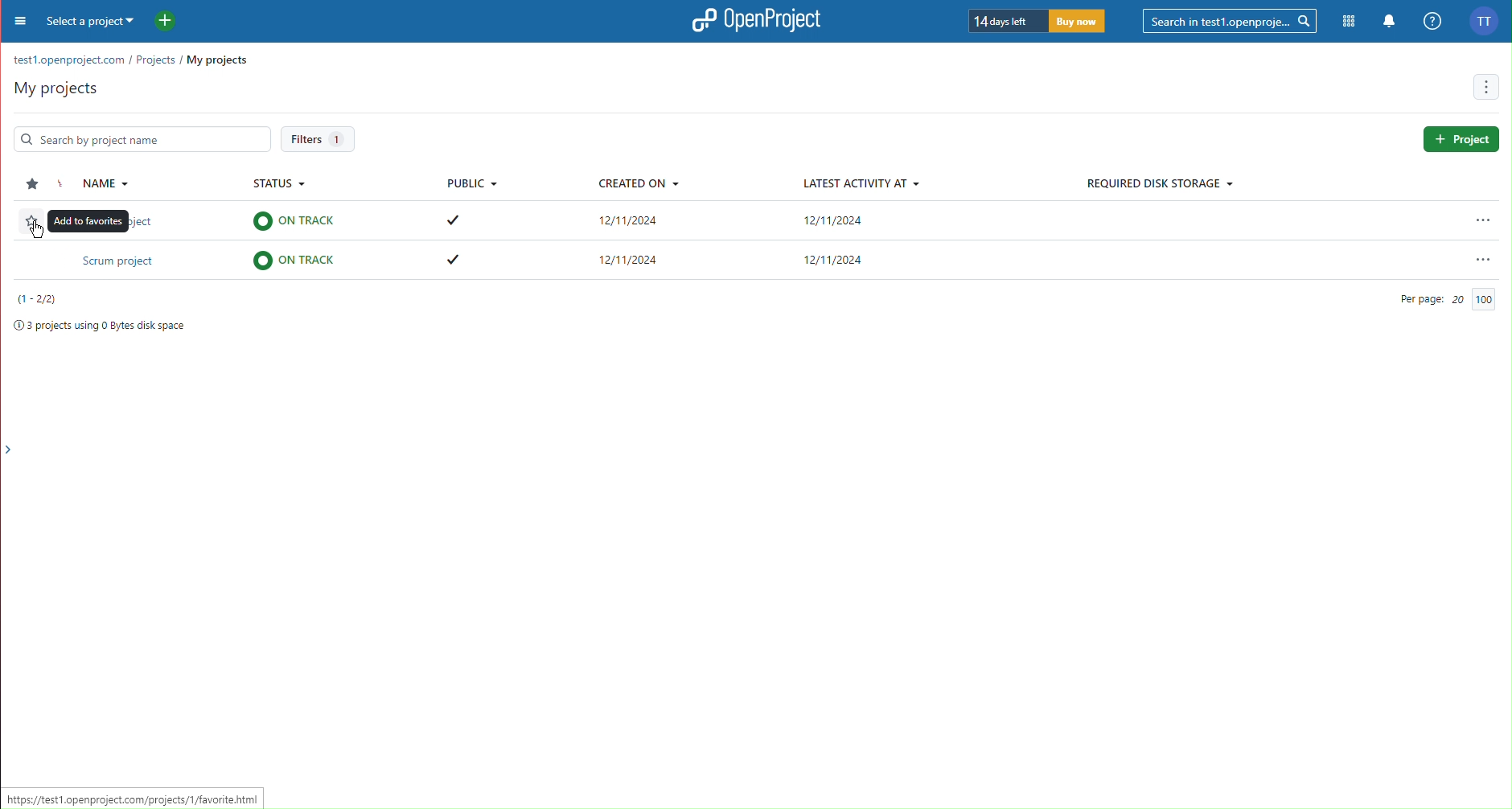 Image resolution: width=1512 pixels, height=809 pixels. Describe the element at coordinates (92, 23) in the screenshot. I see `Select a project` at that location.